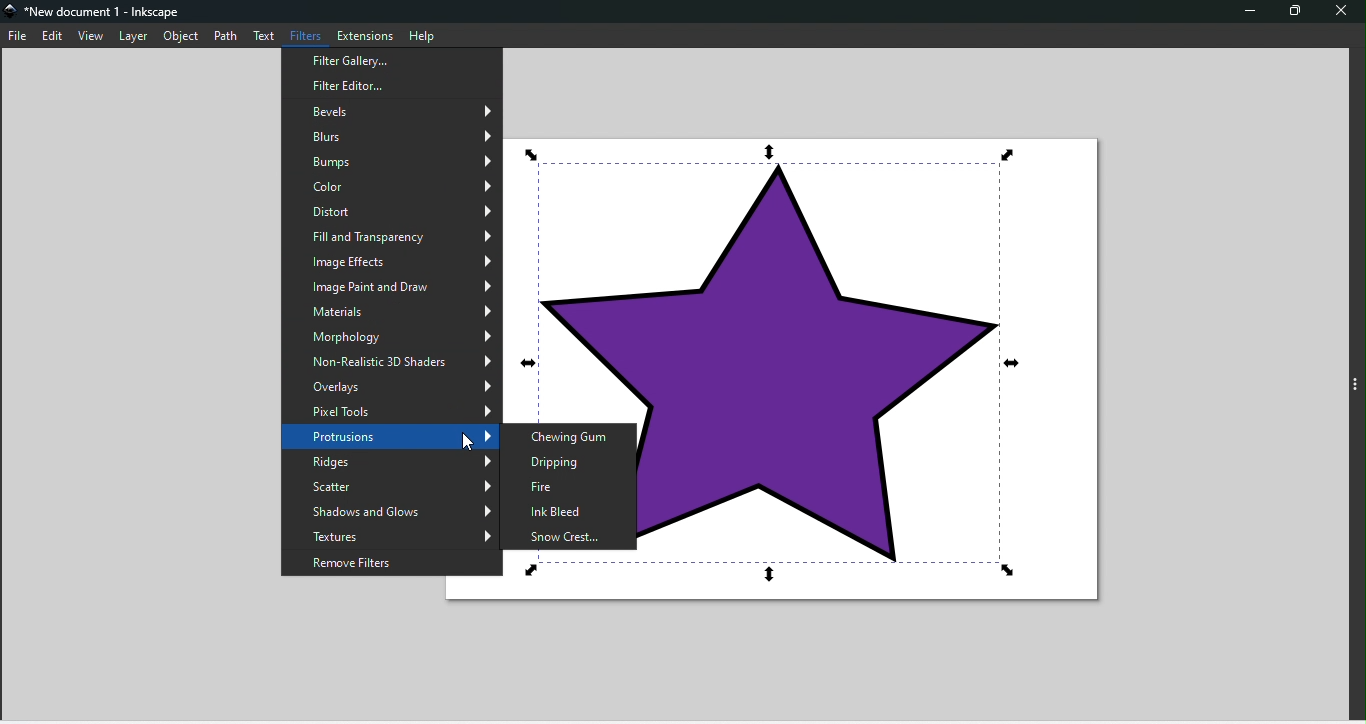  What do you see at coordinates (395, 184) in the screenshot?
I see `Color` at bounding box center [395, 184].